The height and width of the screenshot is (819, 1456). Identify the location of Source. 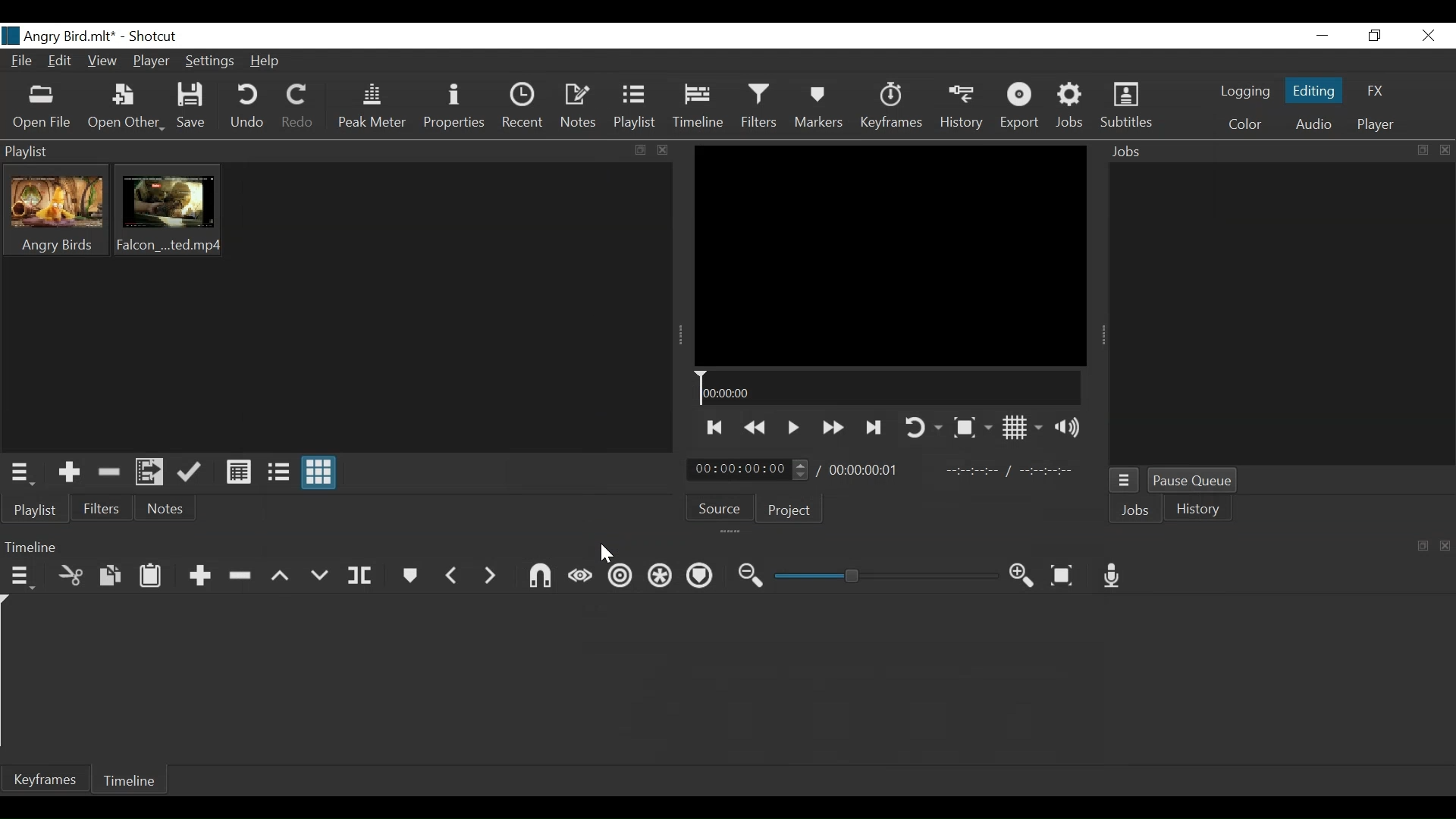
(718, 508).